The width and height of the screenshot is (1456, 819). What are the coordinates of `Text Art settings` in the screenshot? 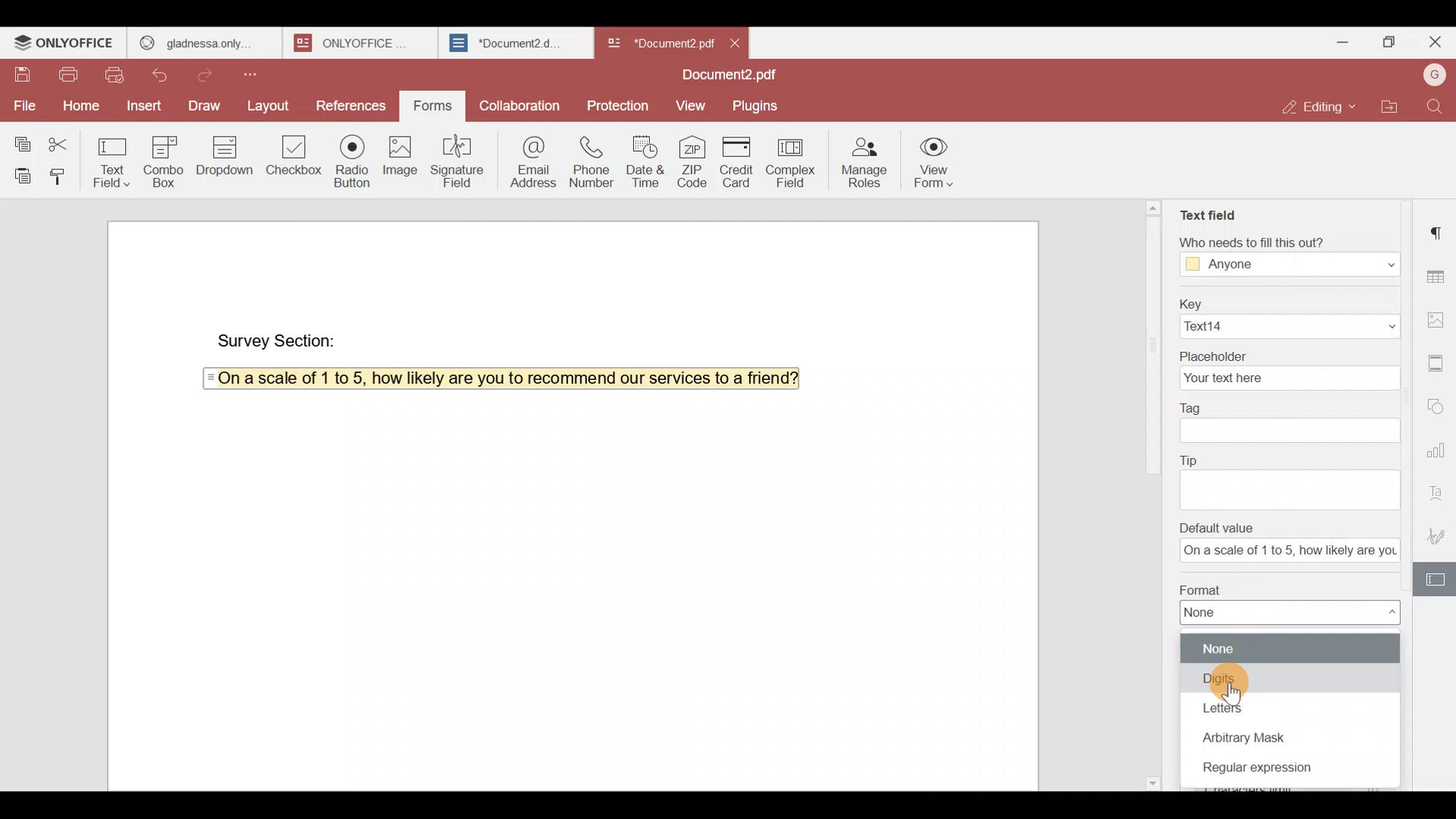 It's located at (1439, 491).